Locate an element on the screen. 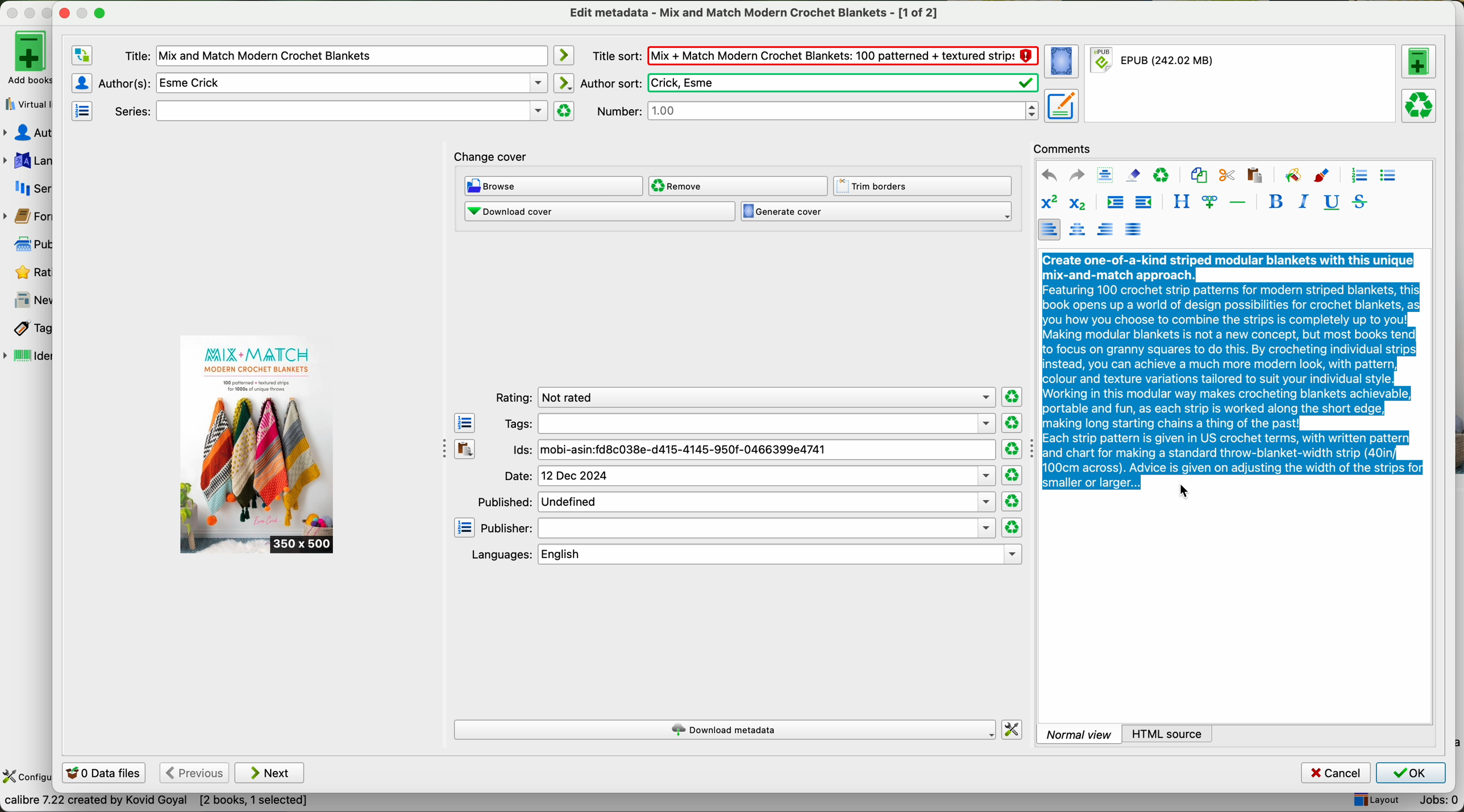 This screenshot has width=1464, height=812. author sort is located at coordinates (808, 83).